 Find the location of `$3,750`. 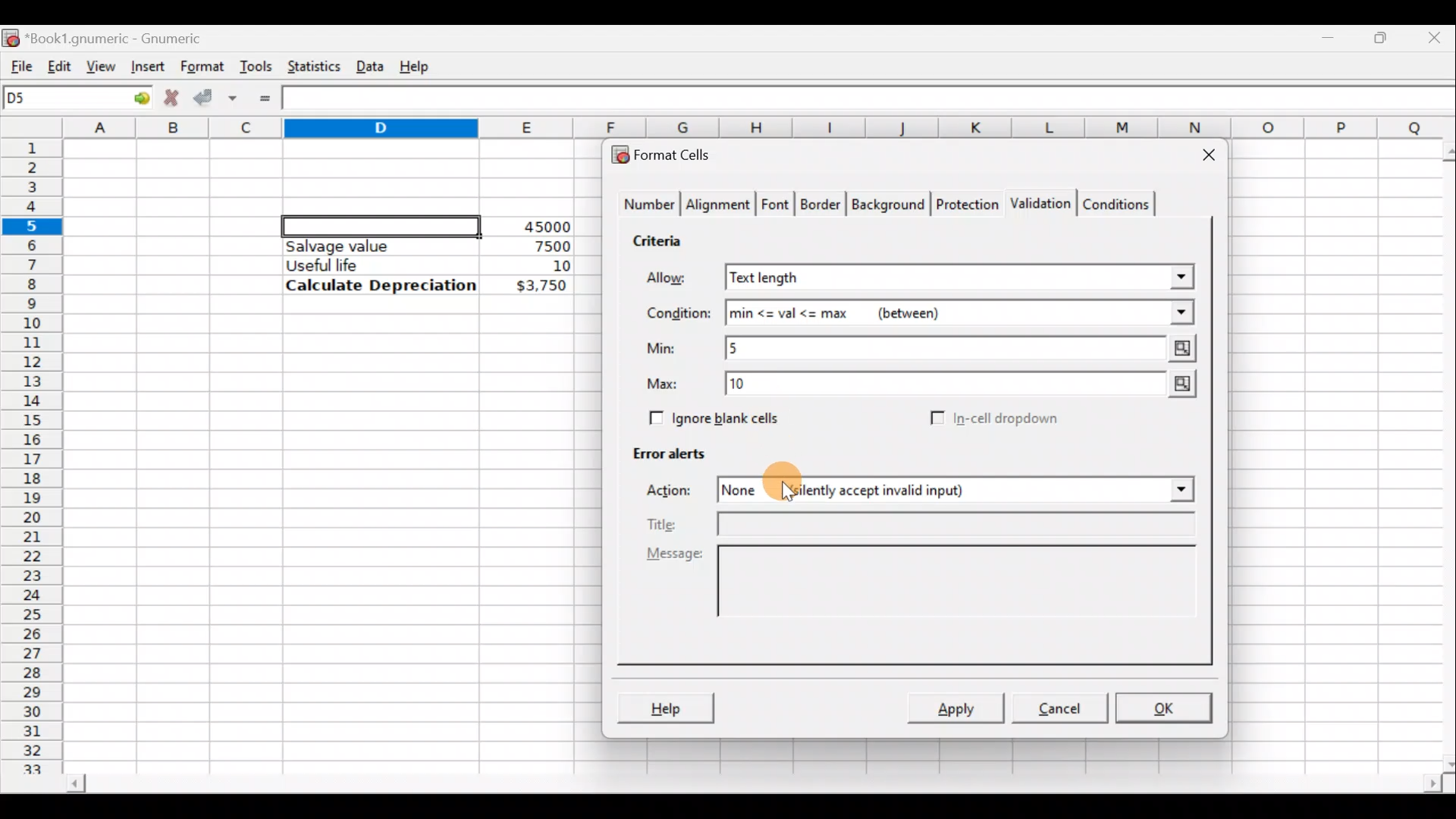

$3,750 is located at coordinates (540, 287).